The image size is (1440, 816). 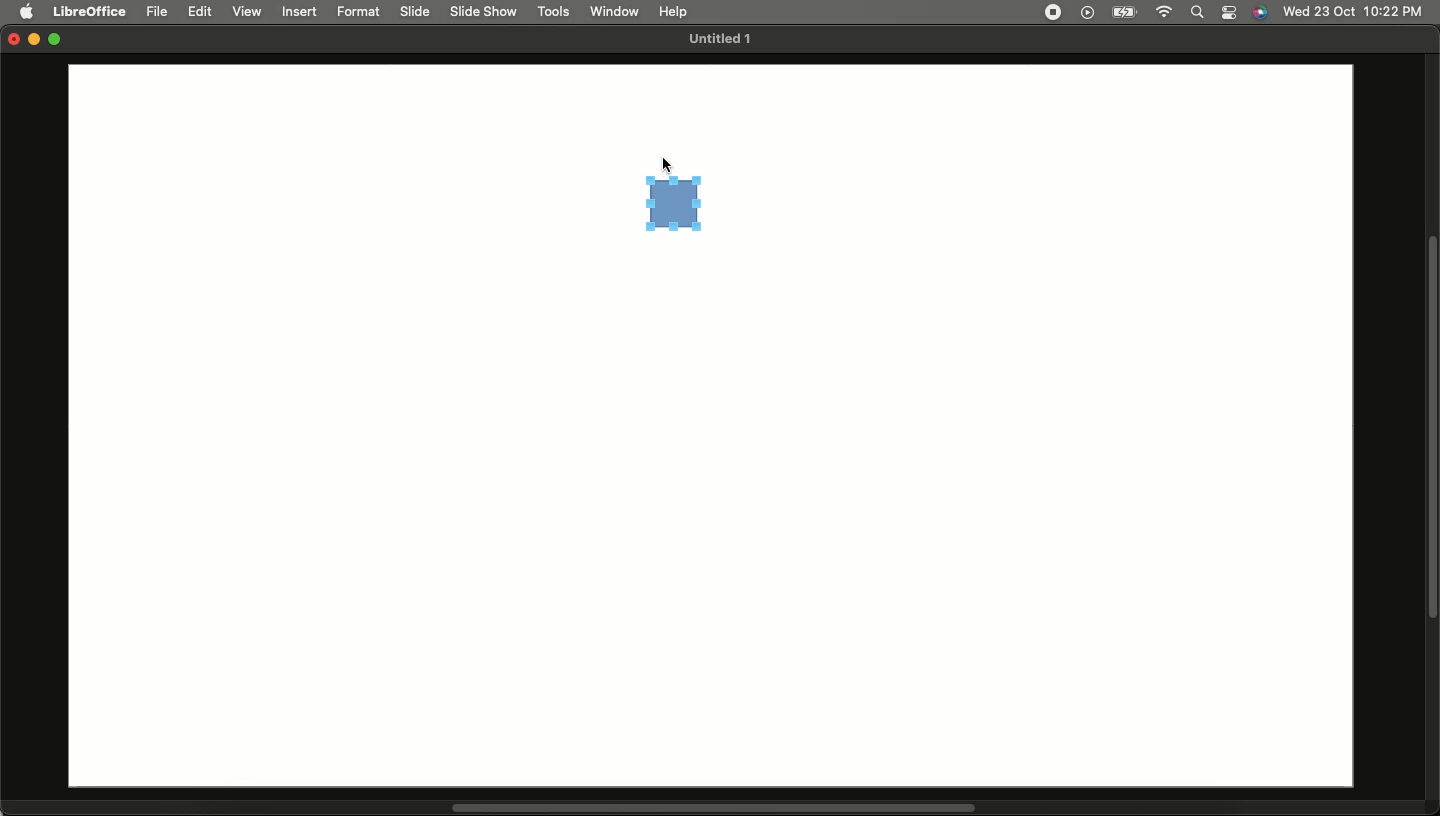 What do you see at coordinates (159, 12) in the screenshot?
I see `File` at bounding box center [159, 12].